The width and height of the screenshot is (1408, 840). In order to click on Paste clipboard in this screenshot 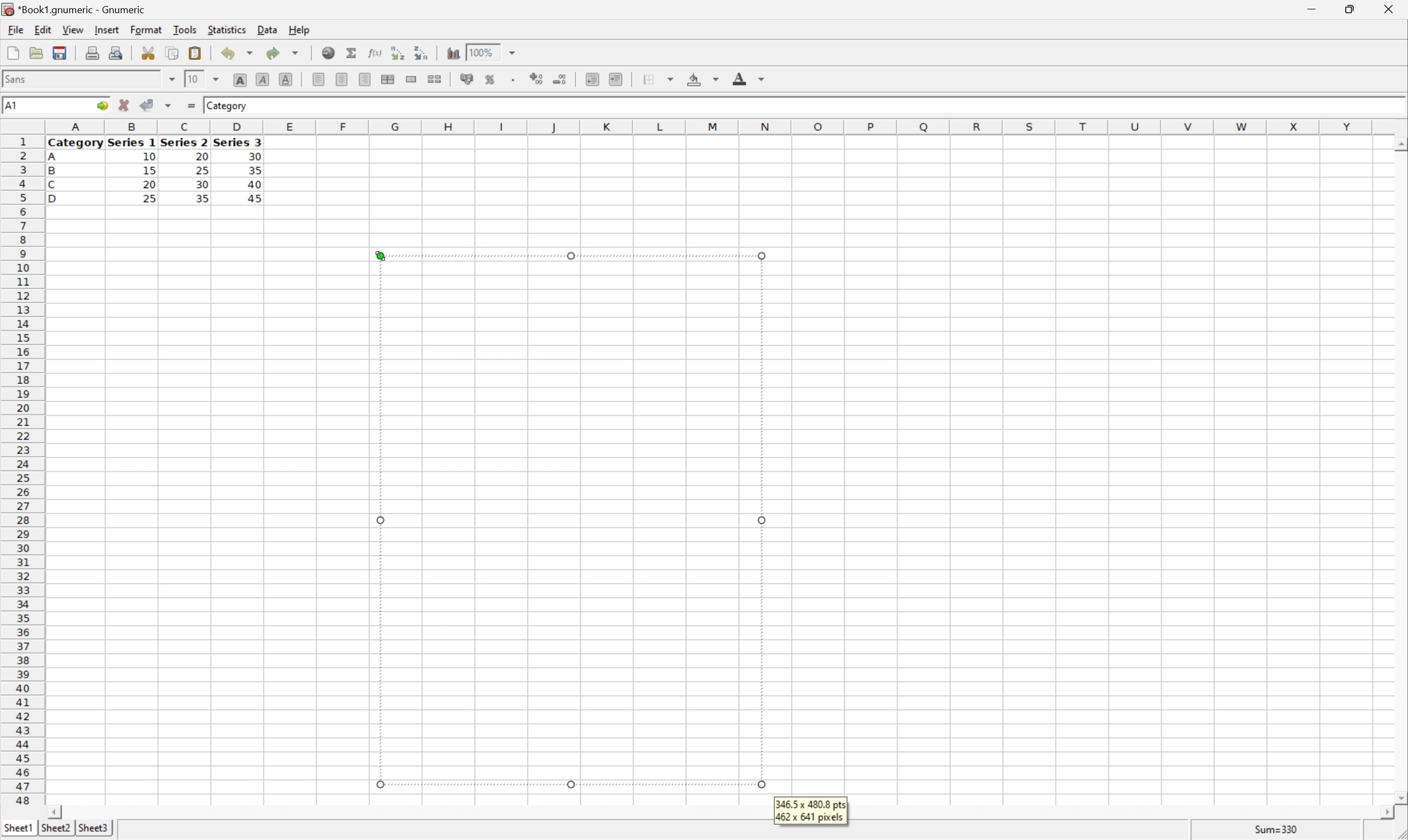, I will do `click(195, 52)`.